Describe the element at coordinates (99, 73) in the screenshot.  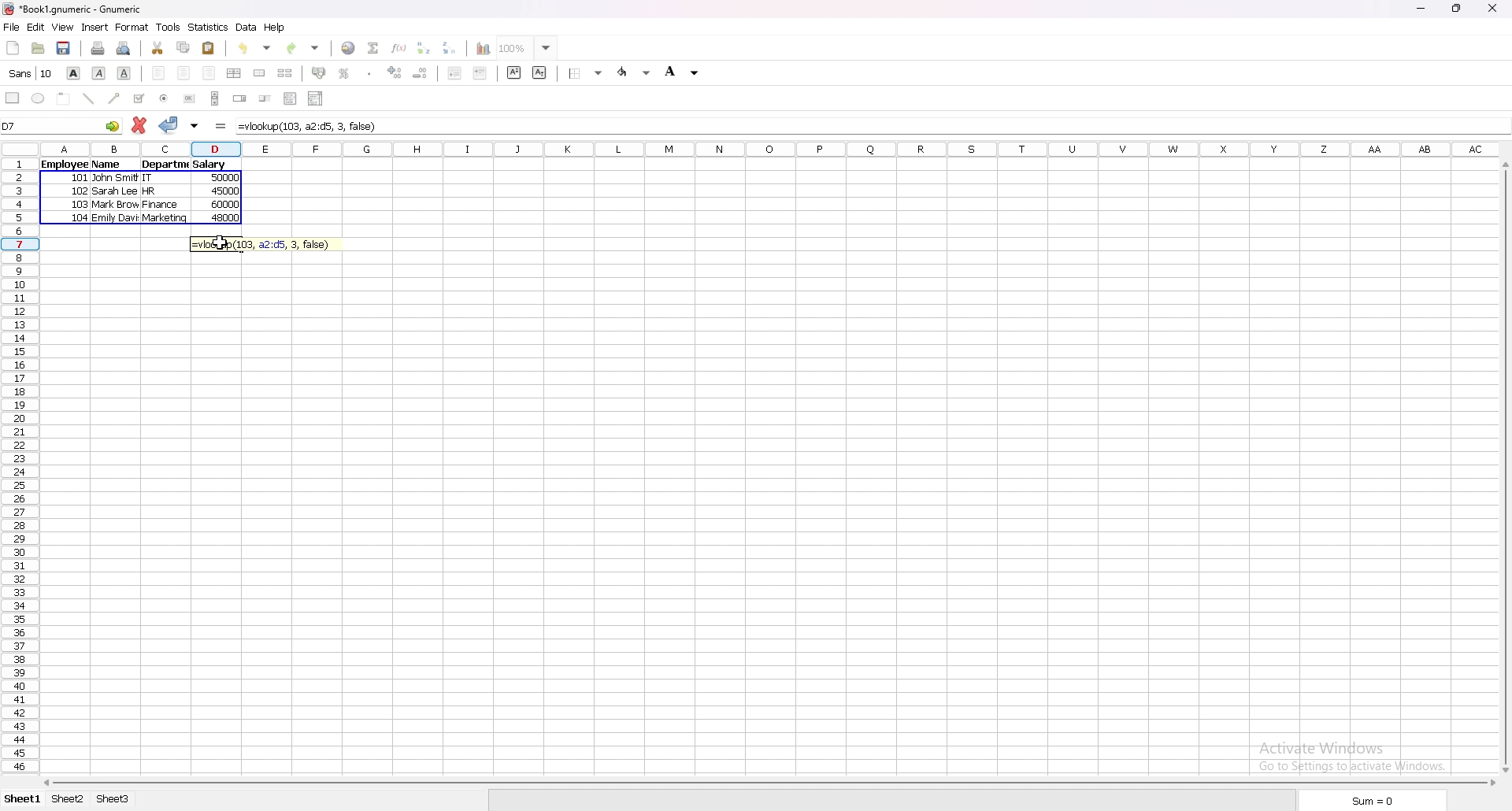
I see `italic` at that location.